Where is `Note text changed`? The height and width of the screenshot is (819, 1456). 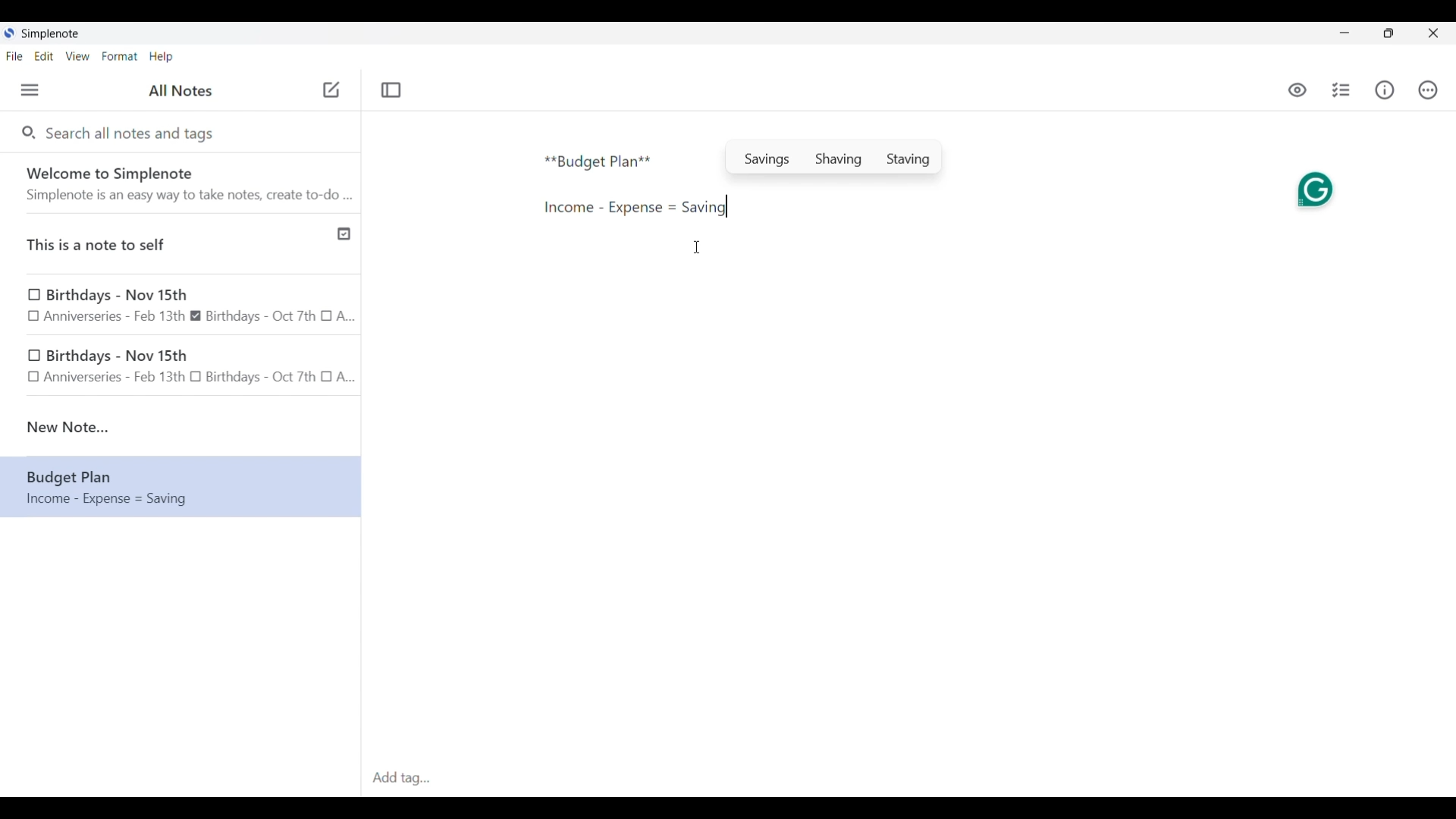 Note text changed is located at coordinates (179, 487).